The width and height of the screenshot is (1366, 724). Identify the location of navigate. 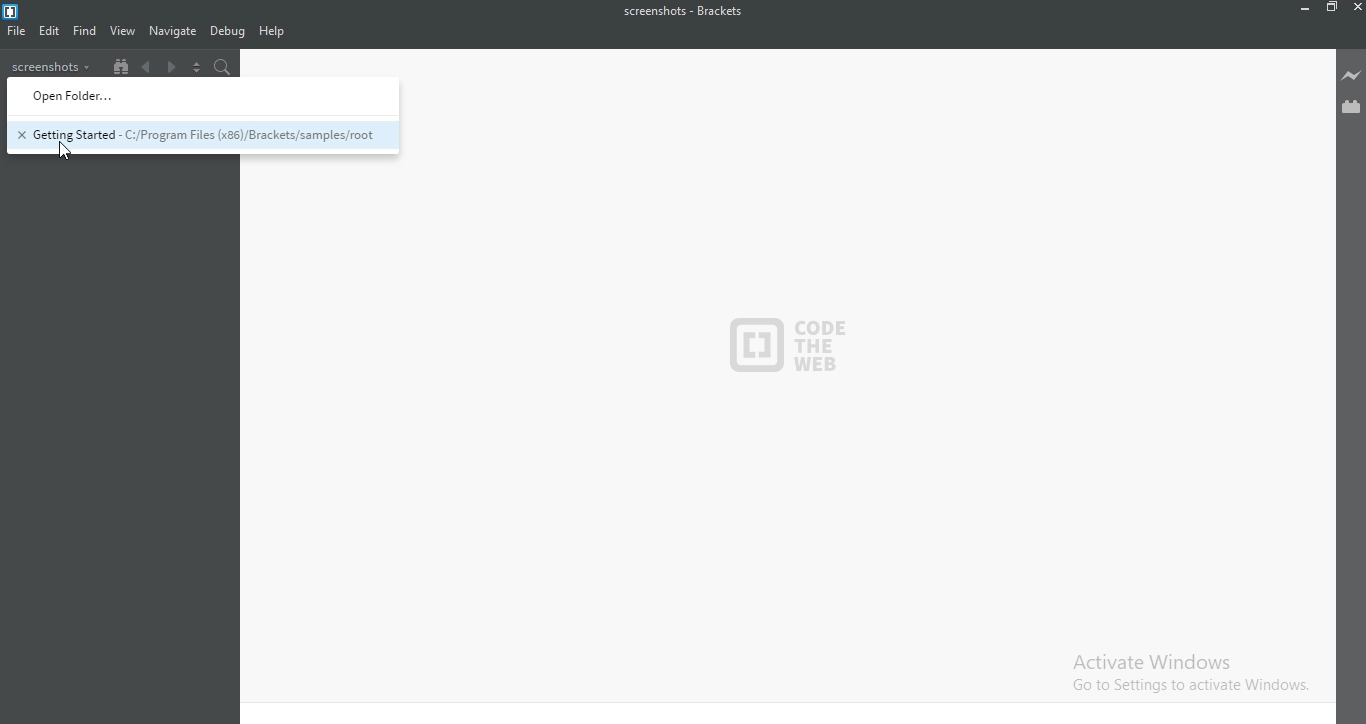
(173, 31).